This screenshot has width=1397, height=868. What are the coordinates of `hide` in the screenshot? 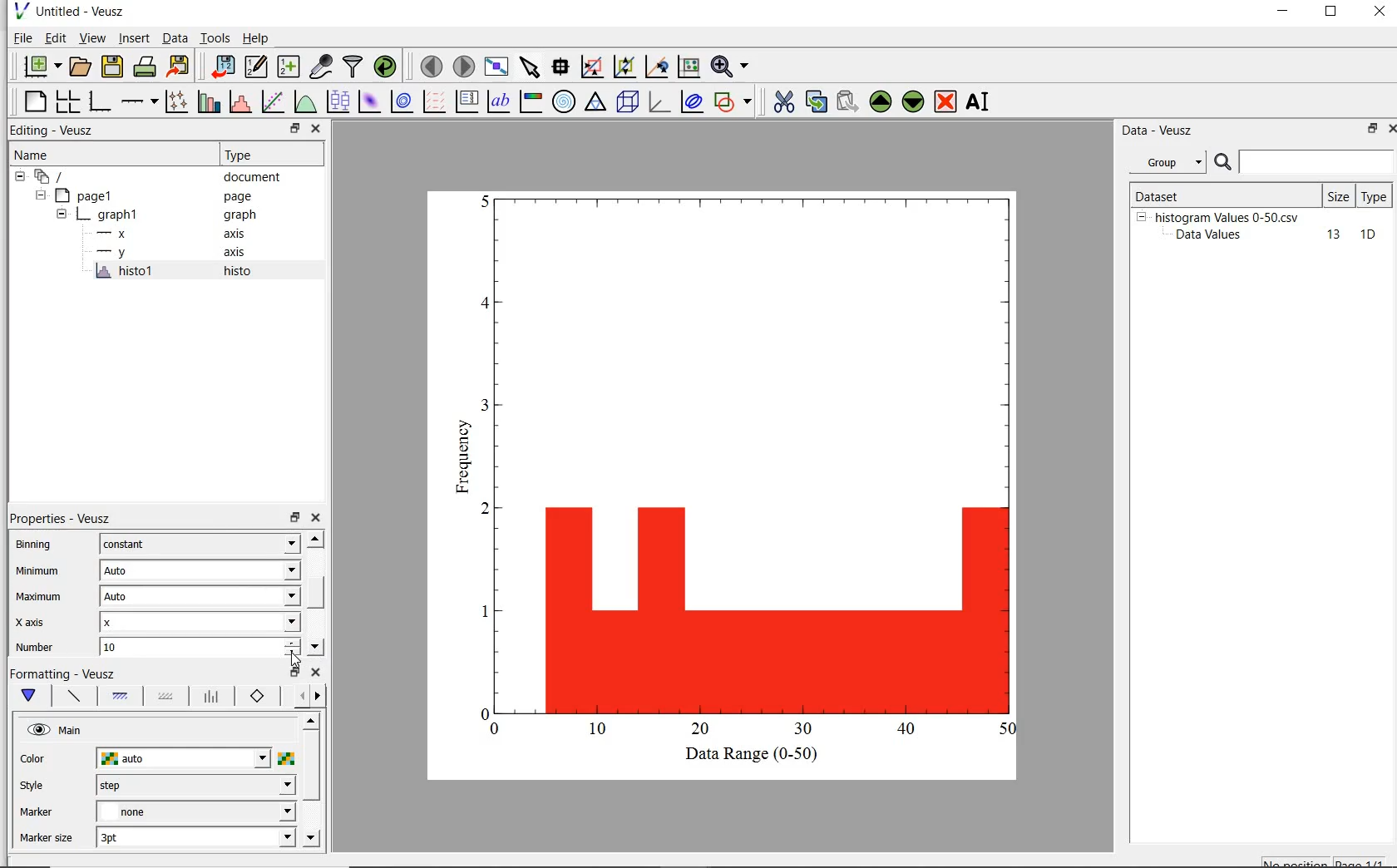 It's located at (39, 195).